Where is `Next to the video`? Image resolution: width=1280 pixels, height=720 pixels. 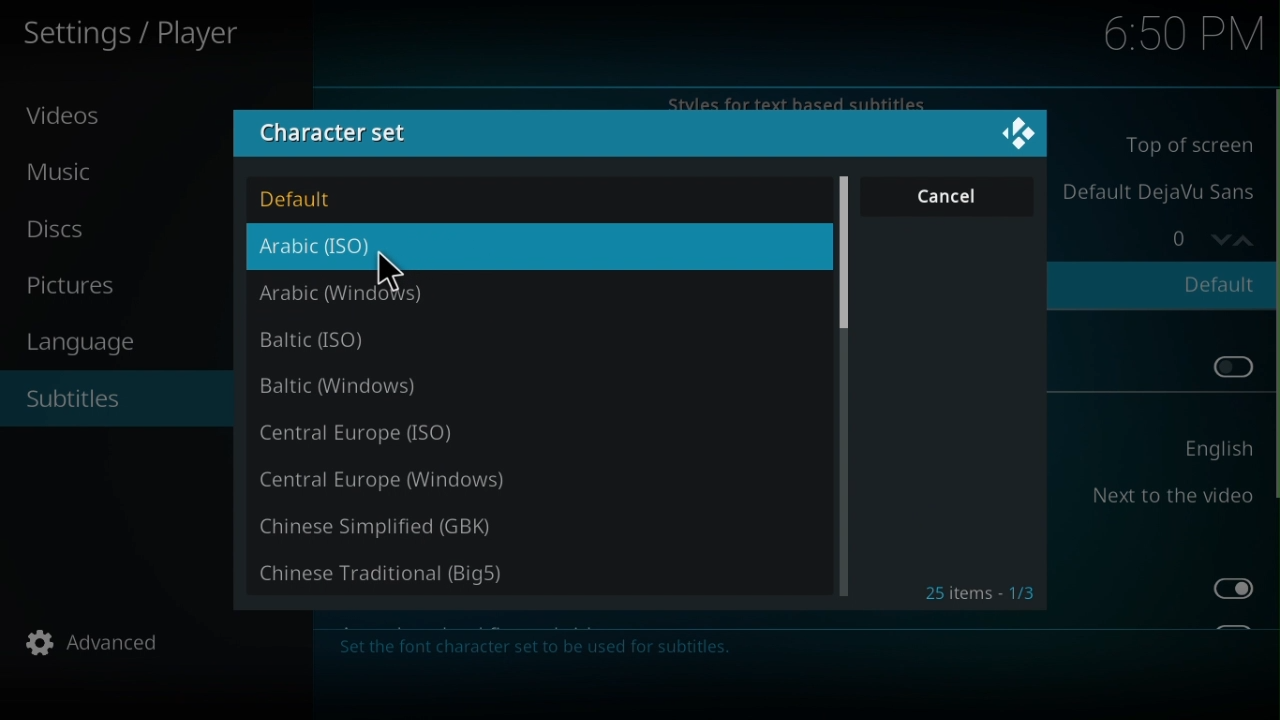 Next to the video is located at coordinates (1170, 497).